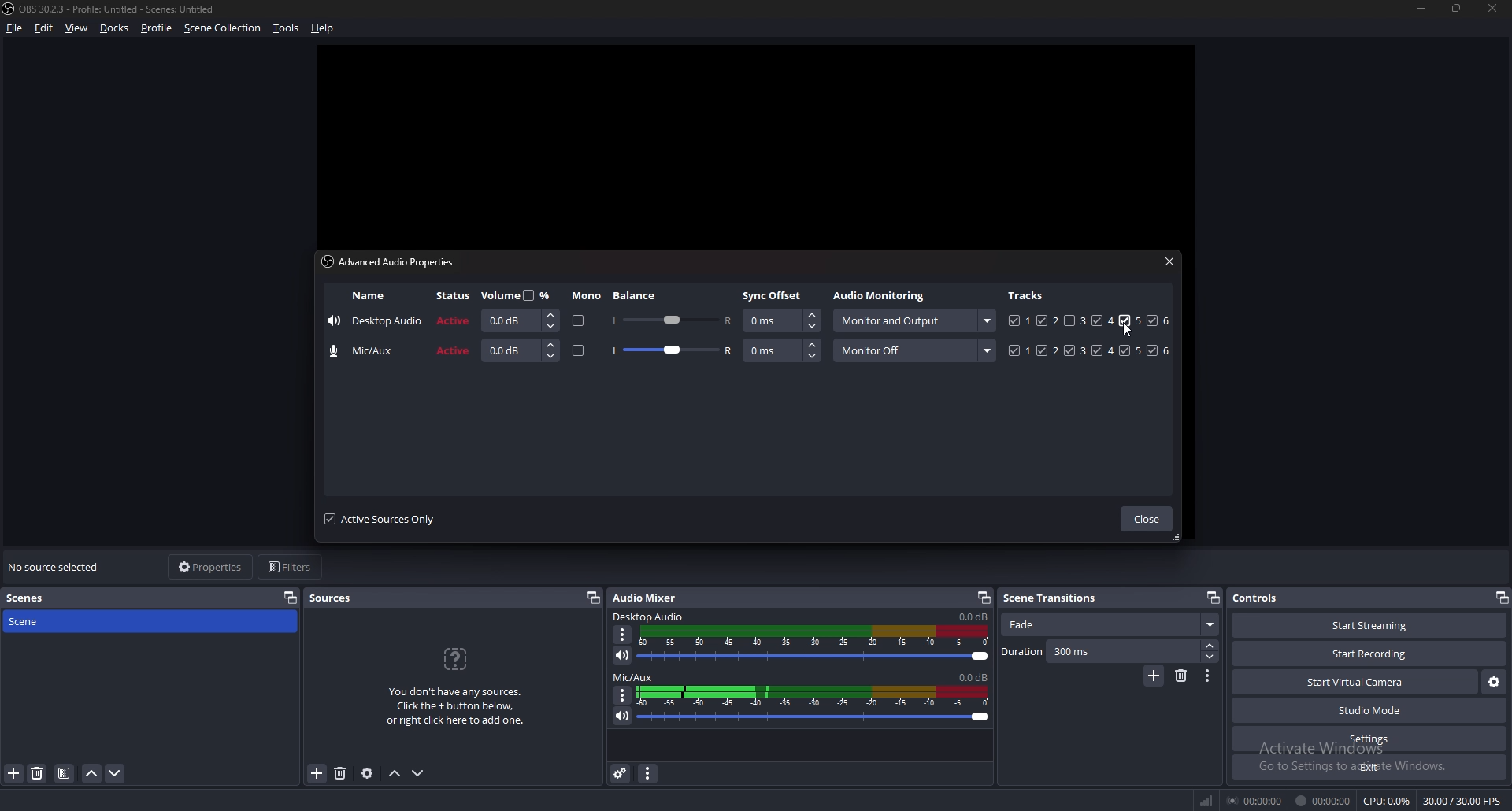 The image size is (1512, 811). What do you see at coordinates (587, 296) in the screenshot?
I see `mono` at bounding box center [587, 296].